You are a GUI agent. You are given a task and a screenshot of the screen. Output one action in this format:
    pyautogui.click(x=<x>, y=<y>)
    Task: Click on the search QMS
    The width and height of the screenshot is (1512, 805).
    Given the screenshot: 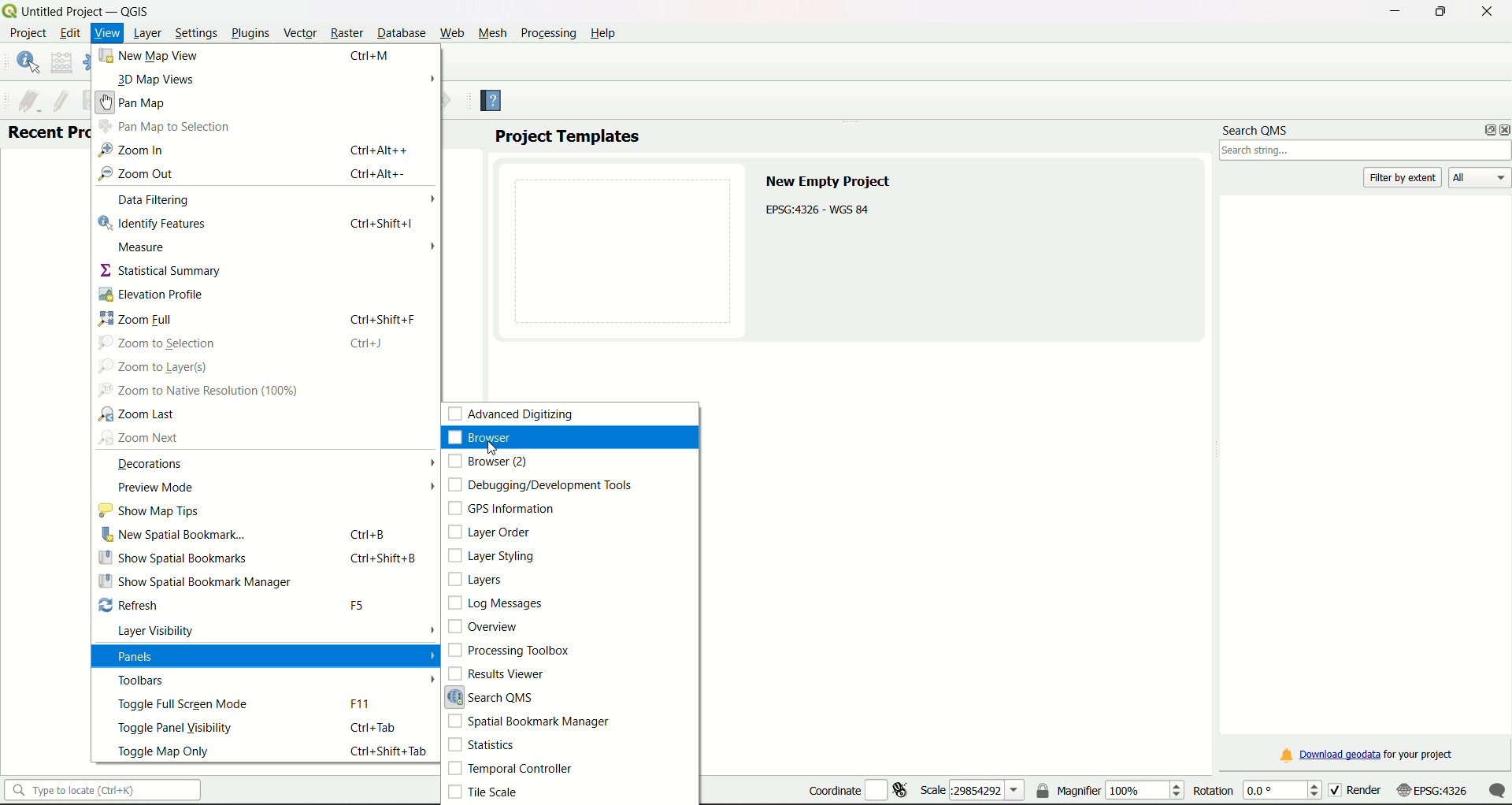 What is the action you would take?
    pyautogui.click(x=498, y=697)
    